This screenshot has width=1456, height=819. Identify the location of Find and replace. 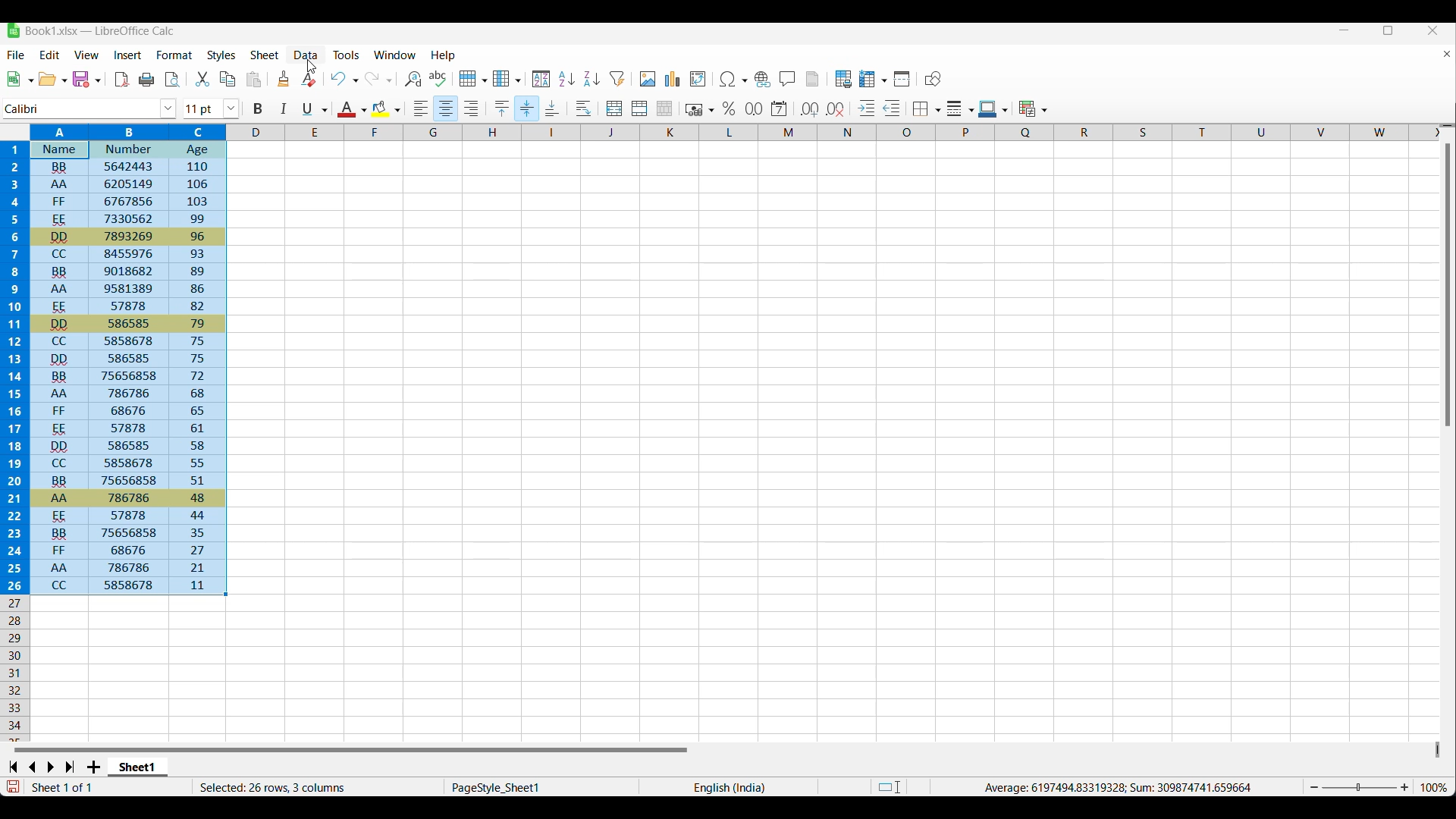
(414, 78).